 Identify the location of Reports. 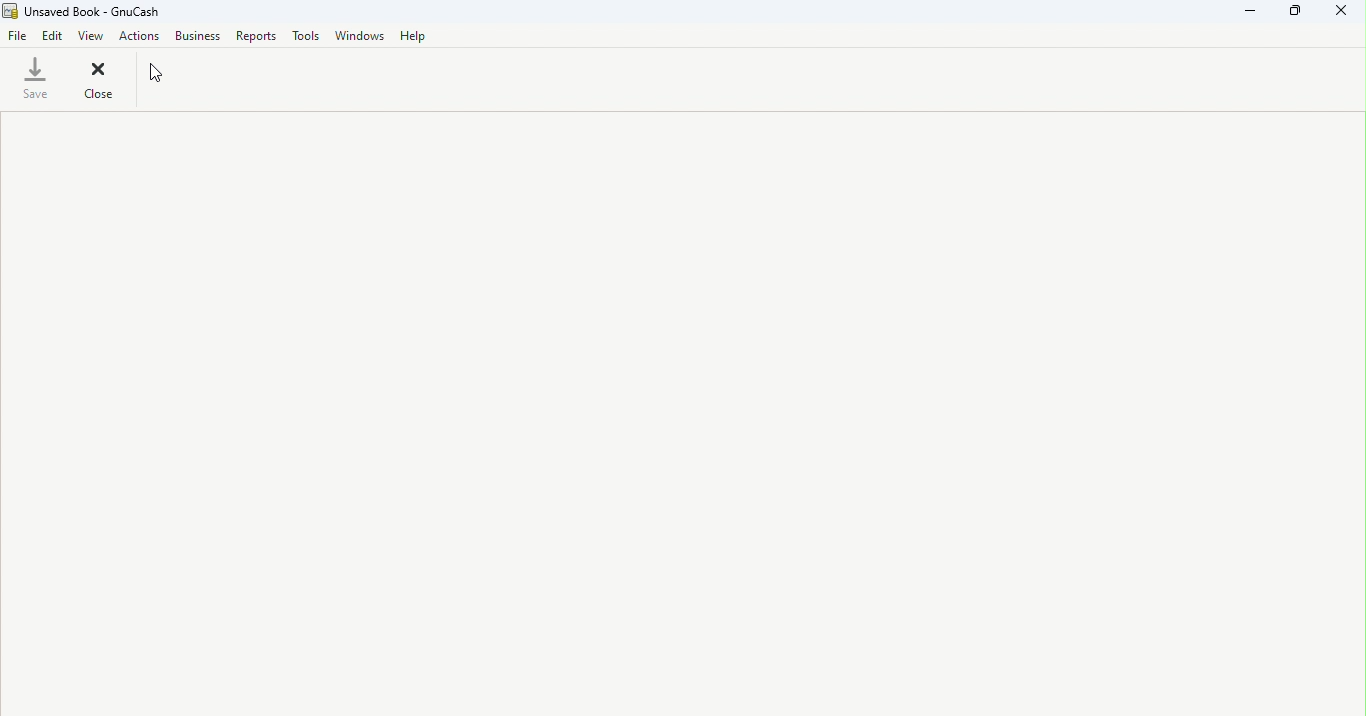
(256, 37).